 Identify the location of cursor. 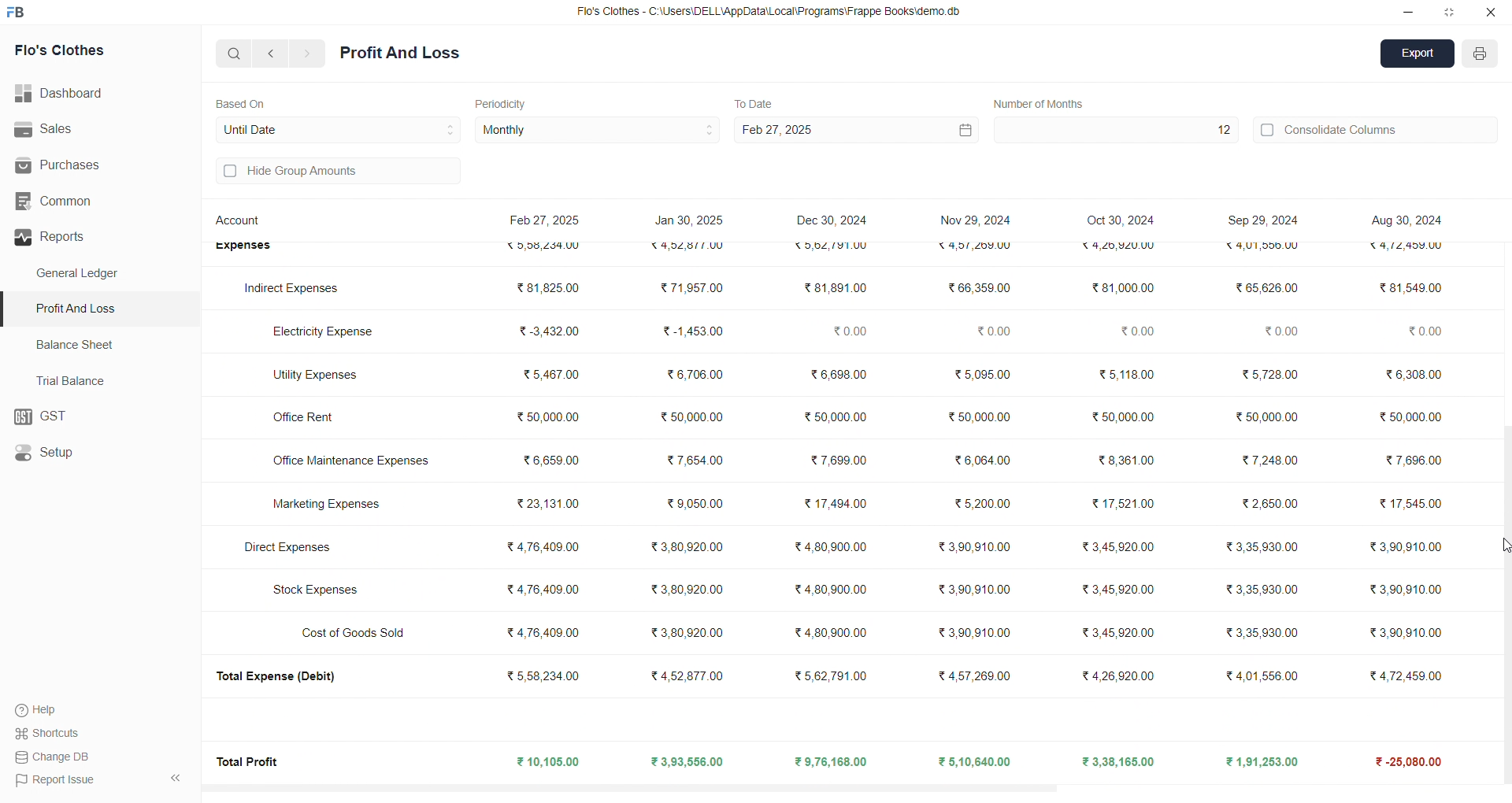
(1499, 546).